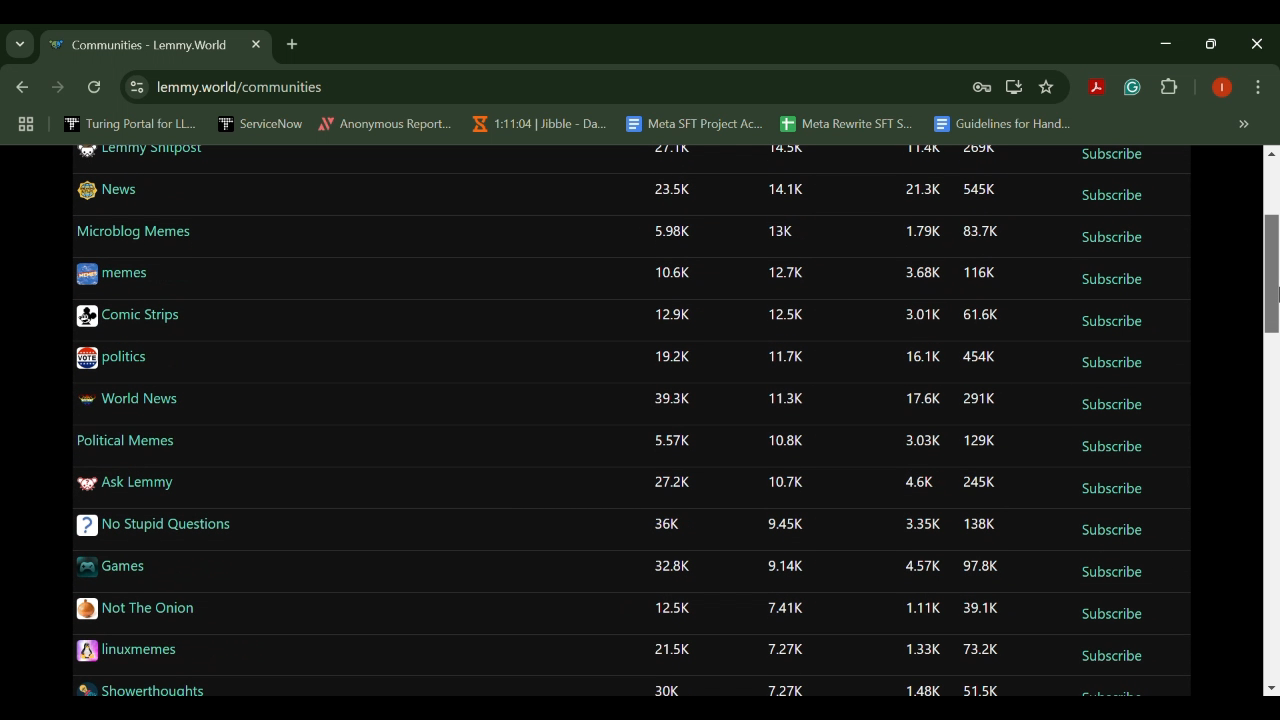 This screenshot has width=1280, height=720. I want to click on Previous Webpage, so click(19, 89).